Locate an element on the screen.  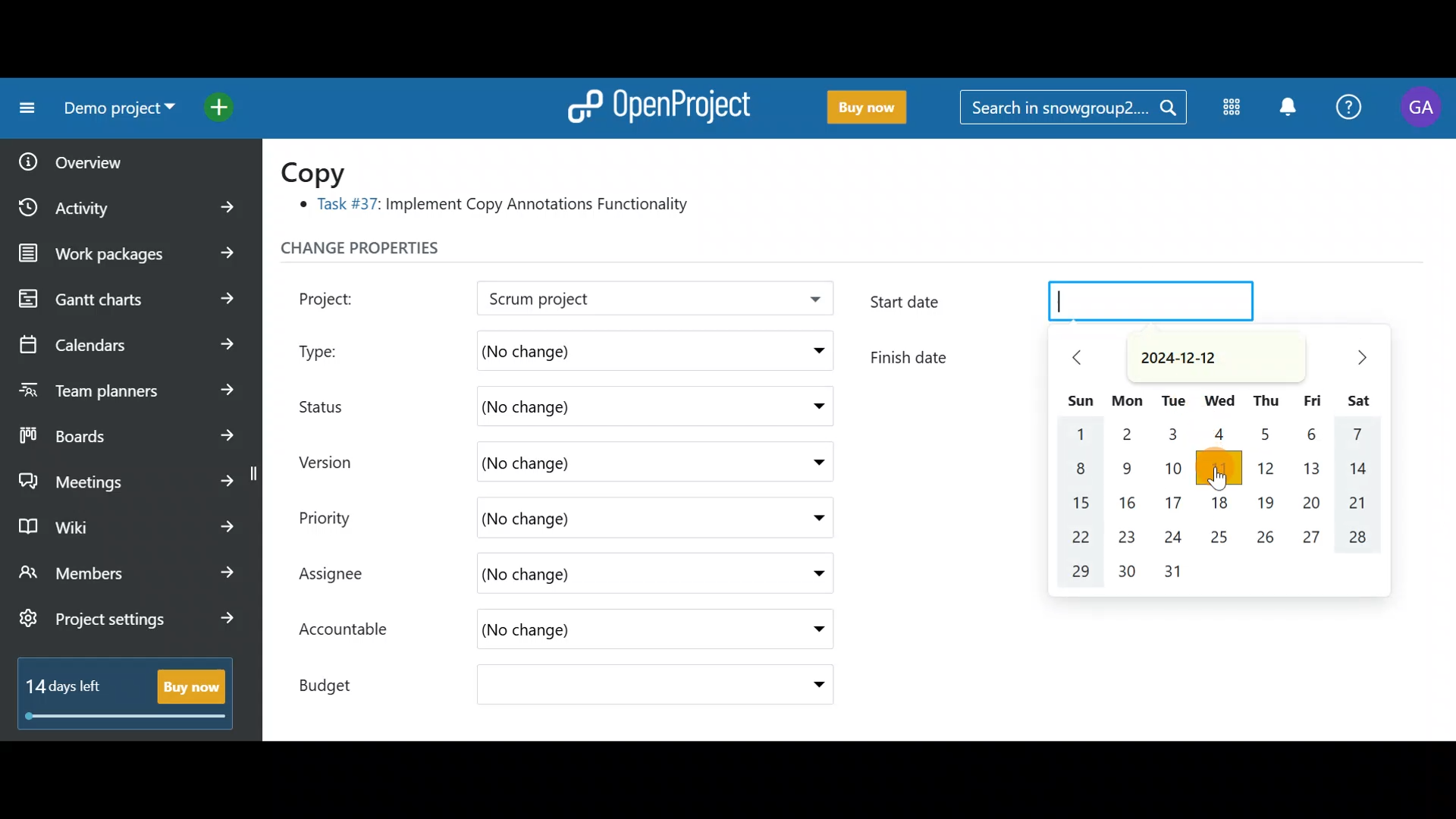
Priority is located at coordinates (341, 516).